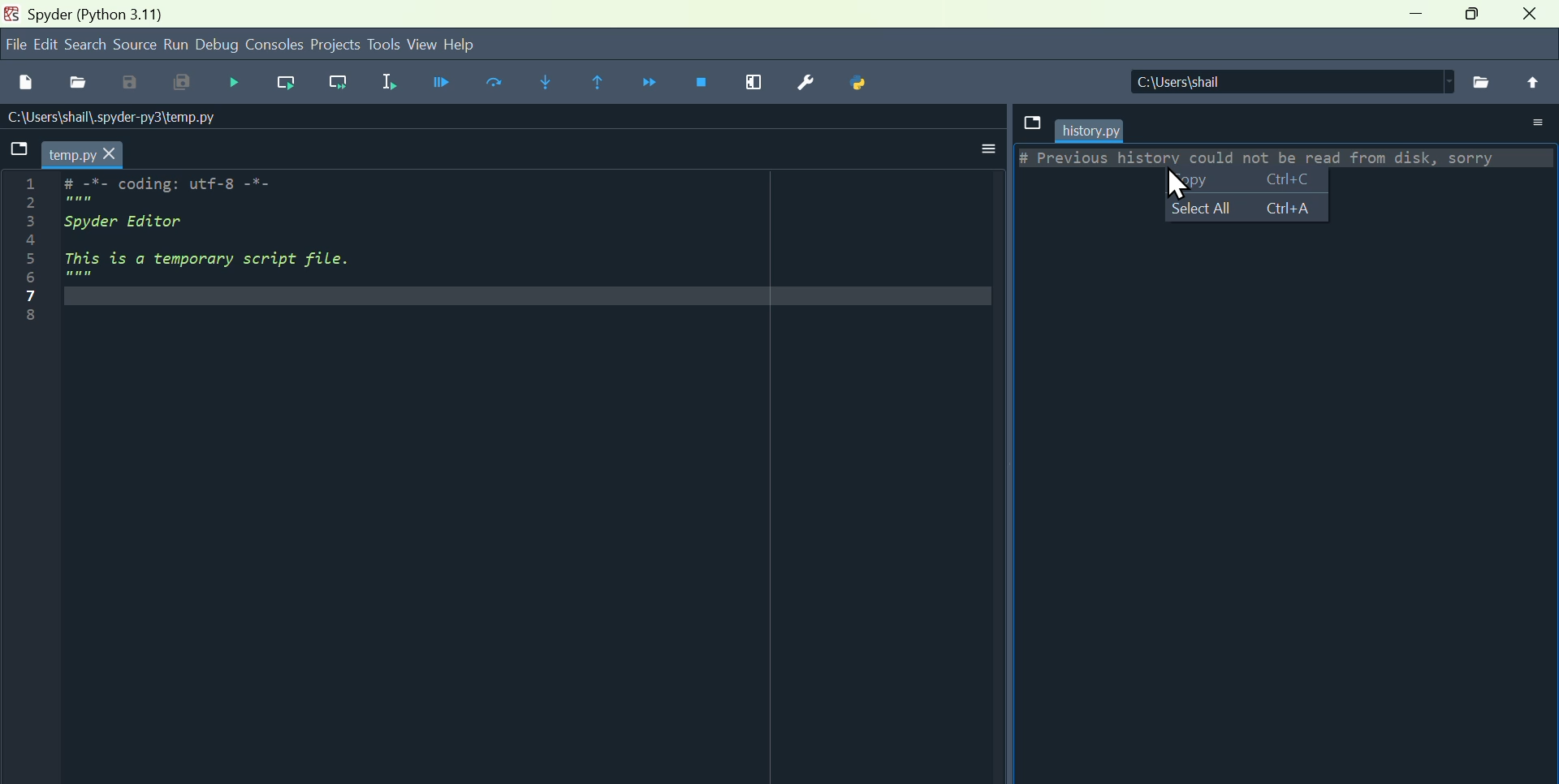  I want to click on Spyder Desktop Icon, so click(13, 14).